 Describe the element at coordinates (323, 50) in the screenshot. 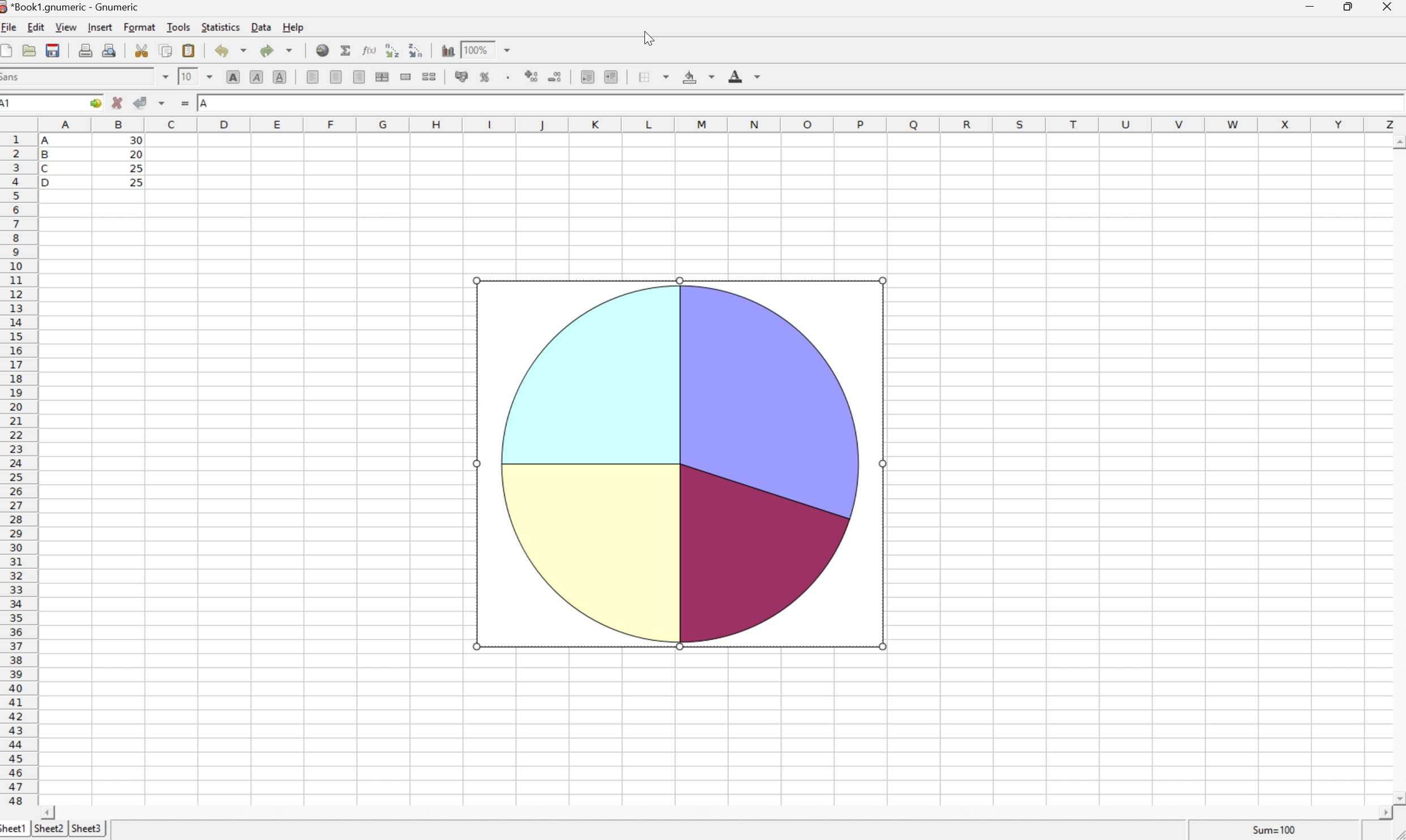

I see `Insert a hyperlink` at that location.